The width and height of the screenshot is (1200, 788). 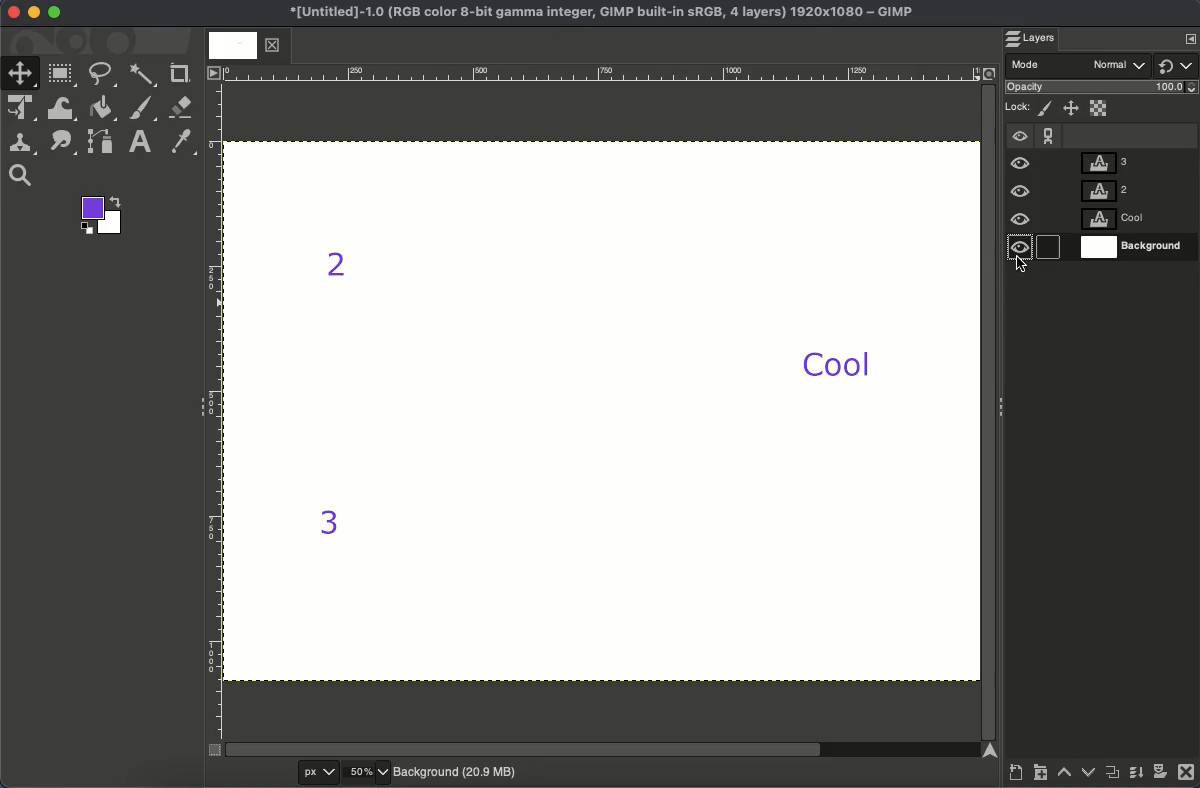 What do you see at coordinates (1065, 777) in the screenshot?
I see `Raise layer` at bounding box center [1065, 777].